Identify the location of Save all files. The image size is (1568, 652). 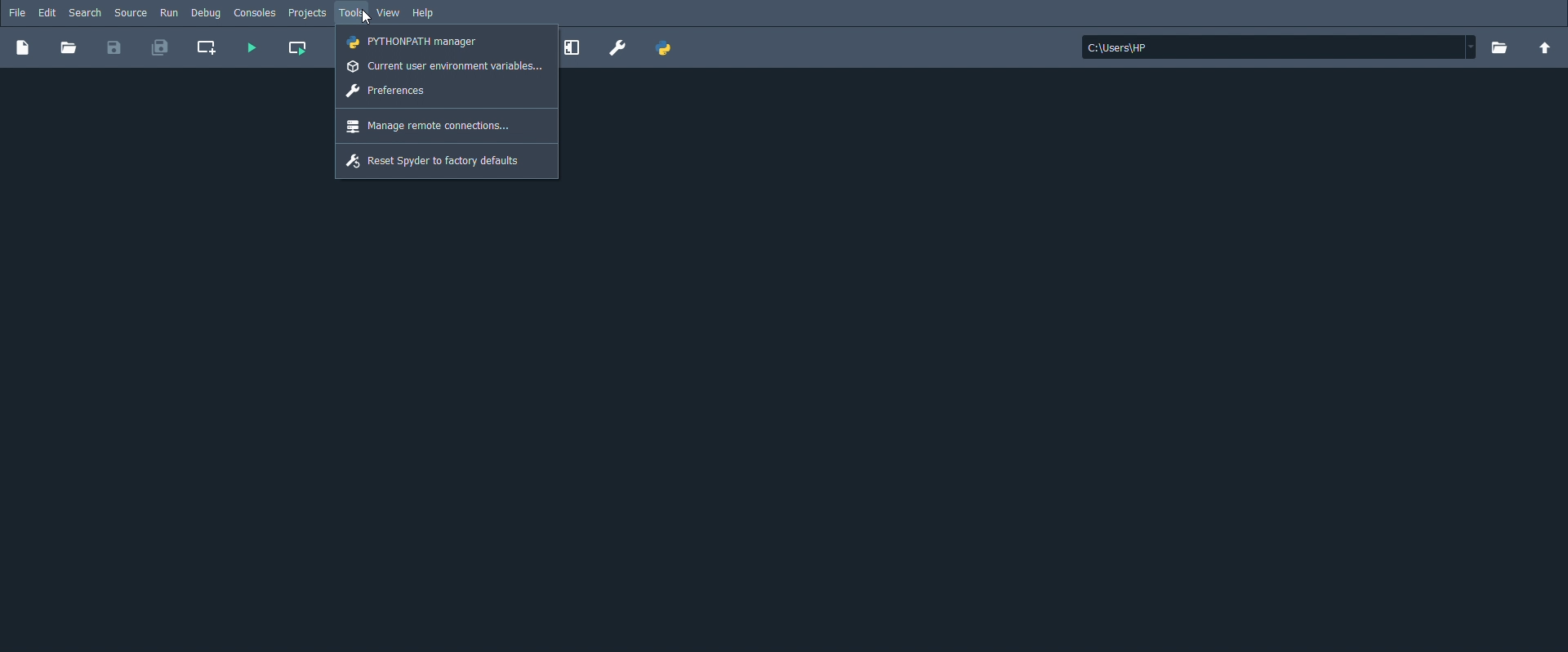
(160, 51).